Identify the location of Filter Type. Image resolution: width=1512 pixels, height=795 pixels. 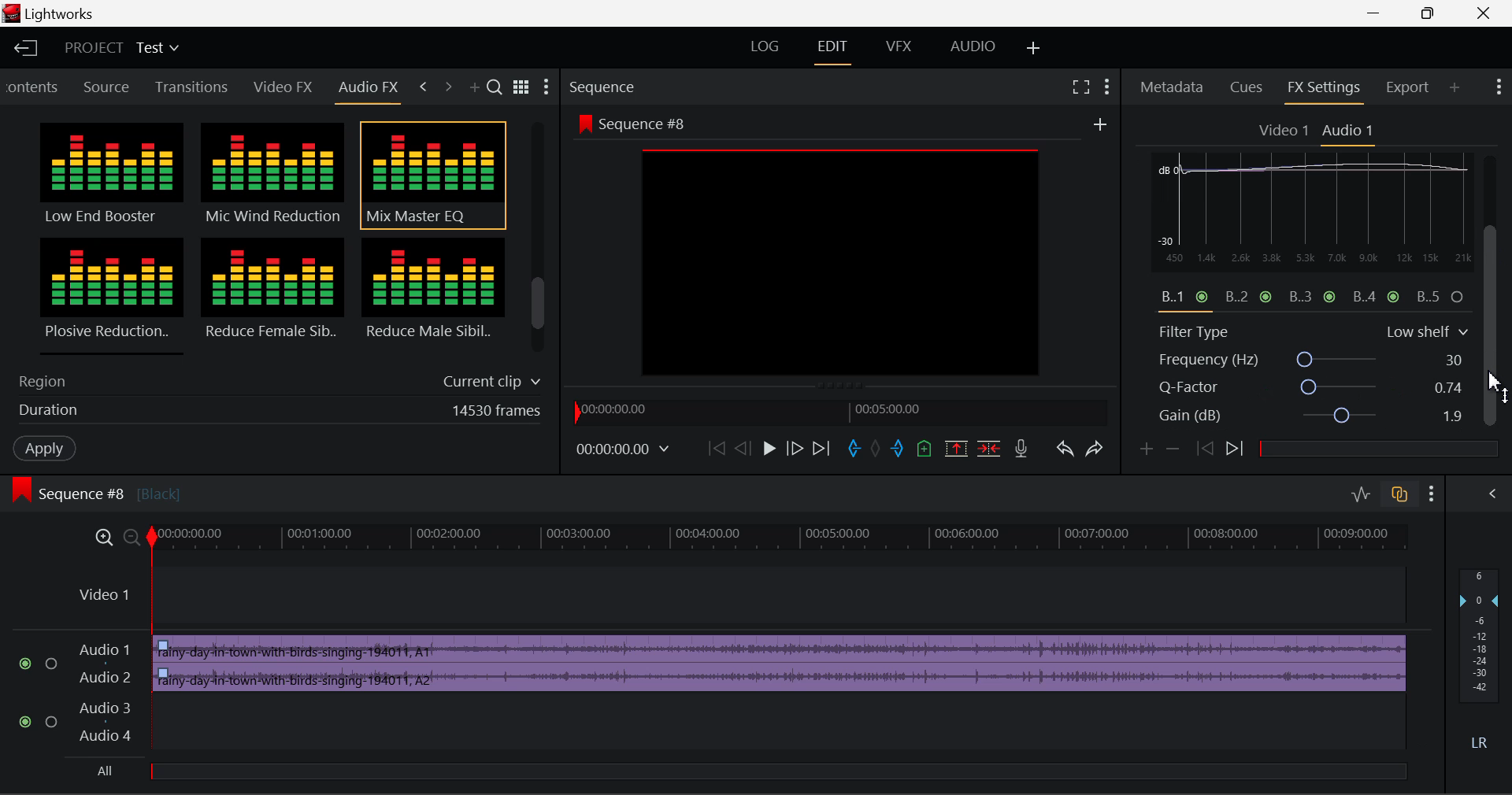
(1313, 330).